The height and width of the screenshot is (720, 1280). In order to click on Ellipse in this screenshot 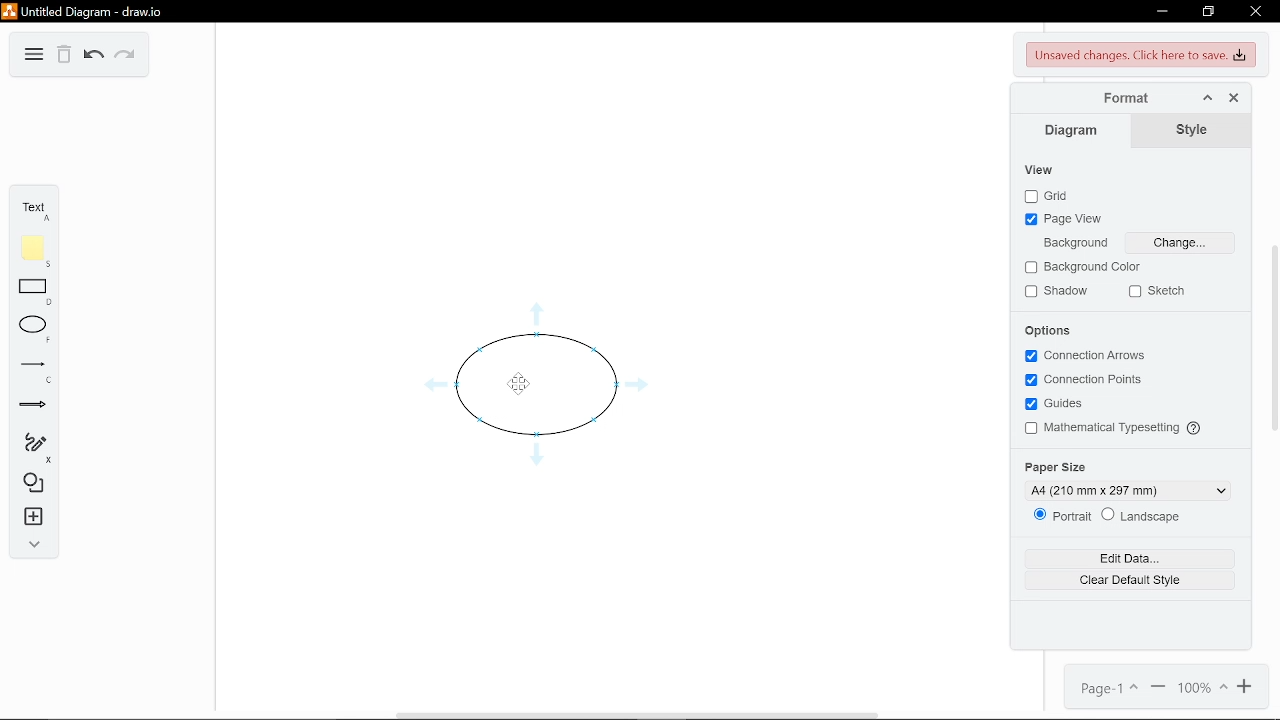, I will do `click(34, 327)`.